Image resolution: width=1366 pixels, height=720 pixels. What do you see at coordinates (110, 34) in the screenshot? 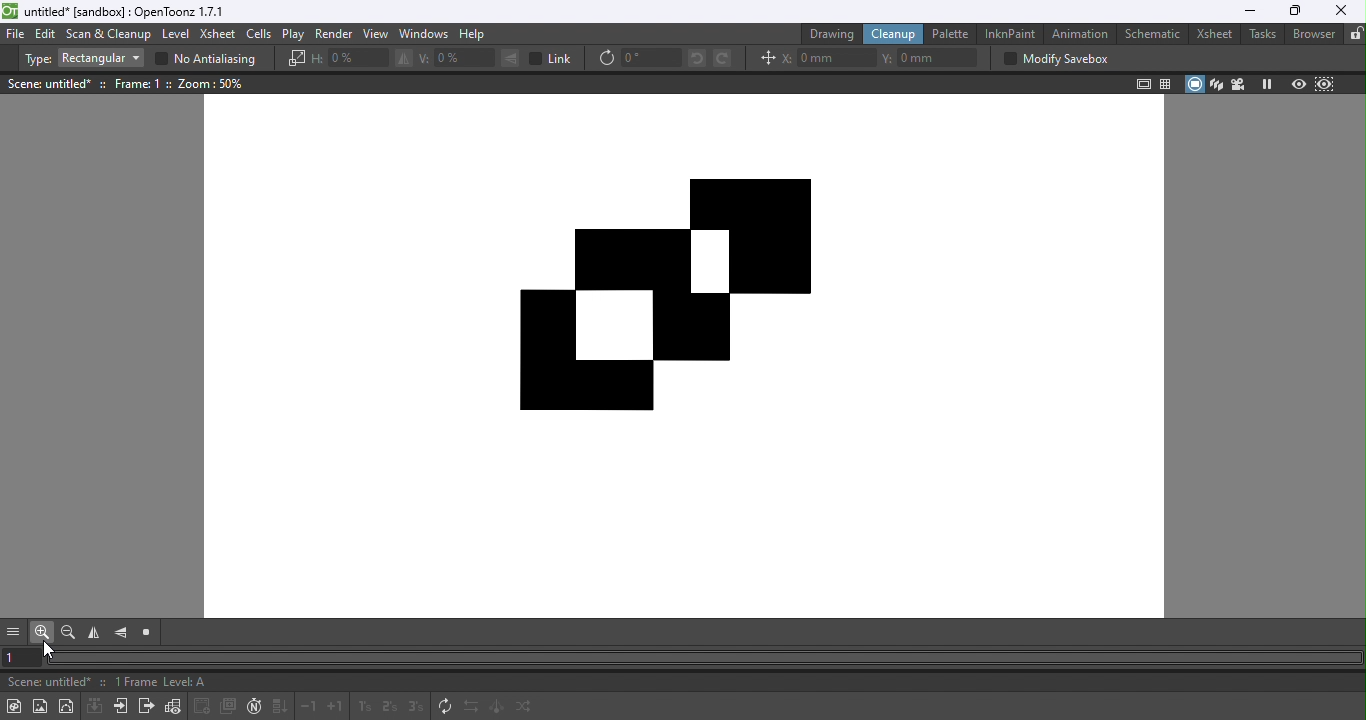
I see `Scan & Cleanup` at bounding box center [110, 34].